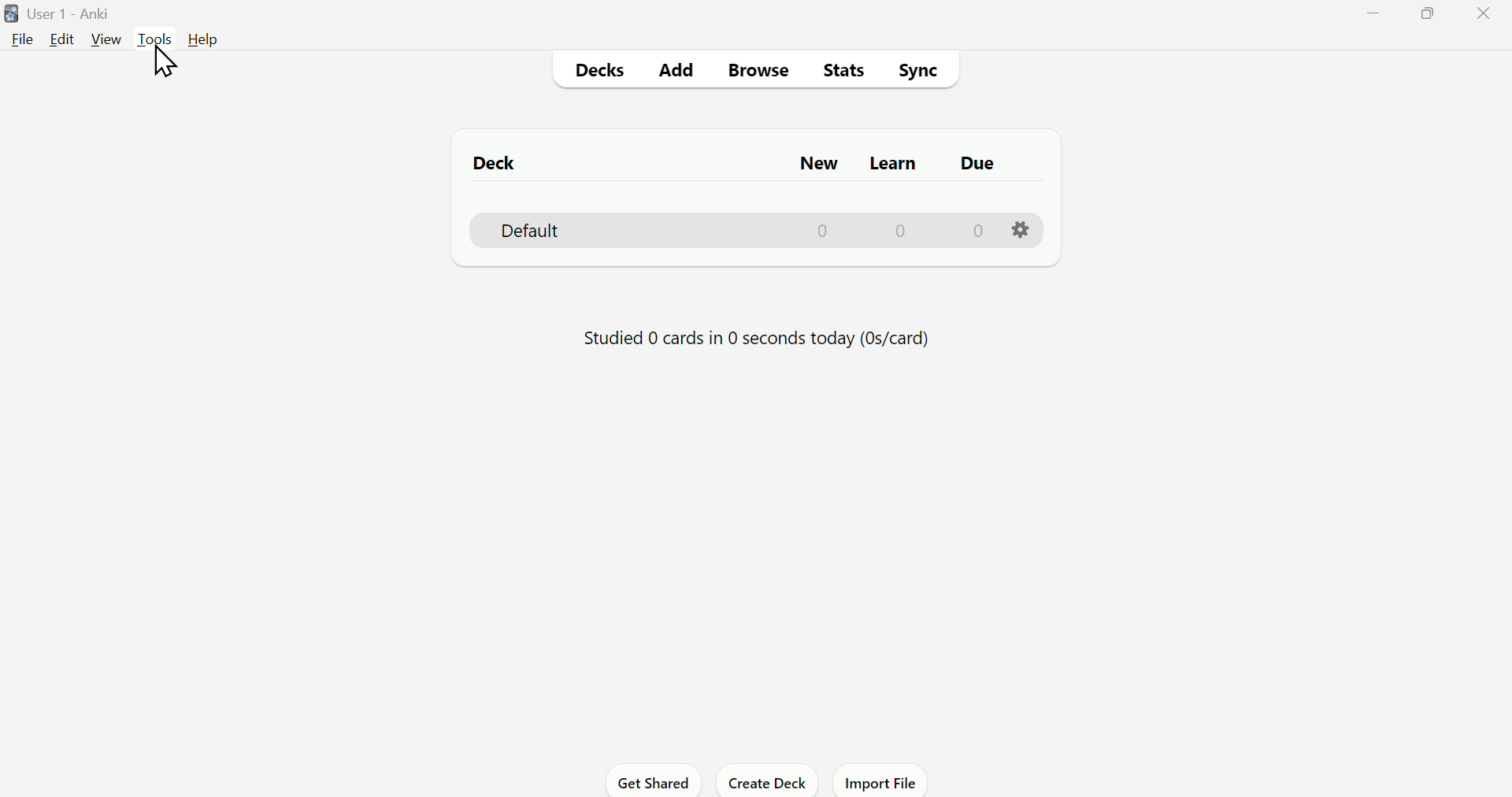  What do you see at coordinates (920, 70) in the screenshot?
I see `Sync` at bounding box center [920, 70].